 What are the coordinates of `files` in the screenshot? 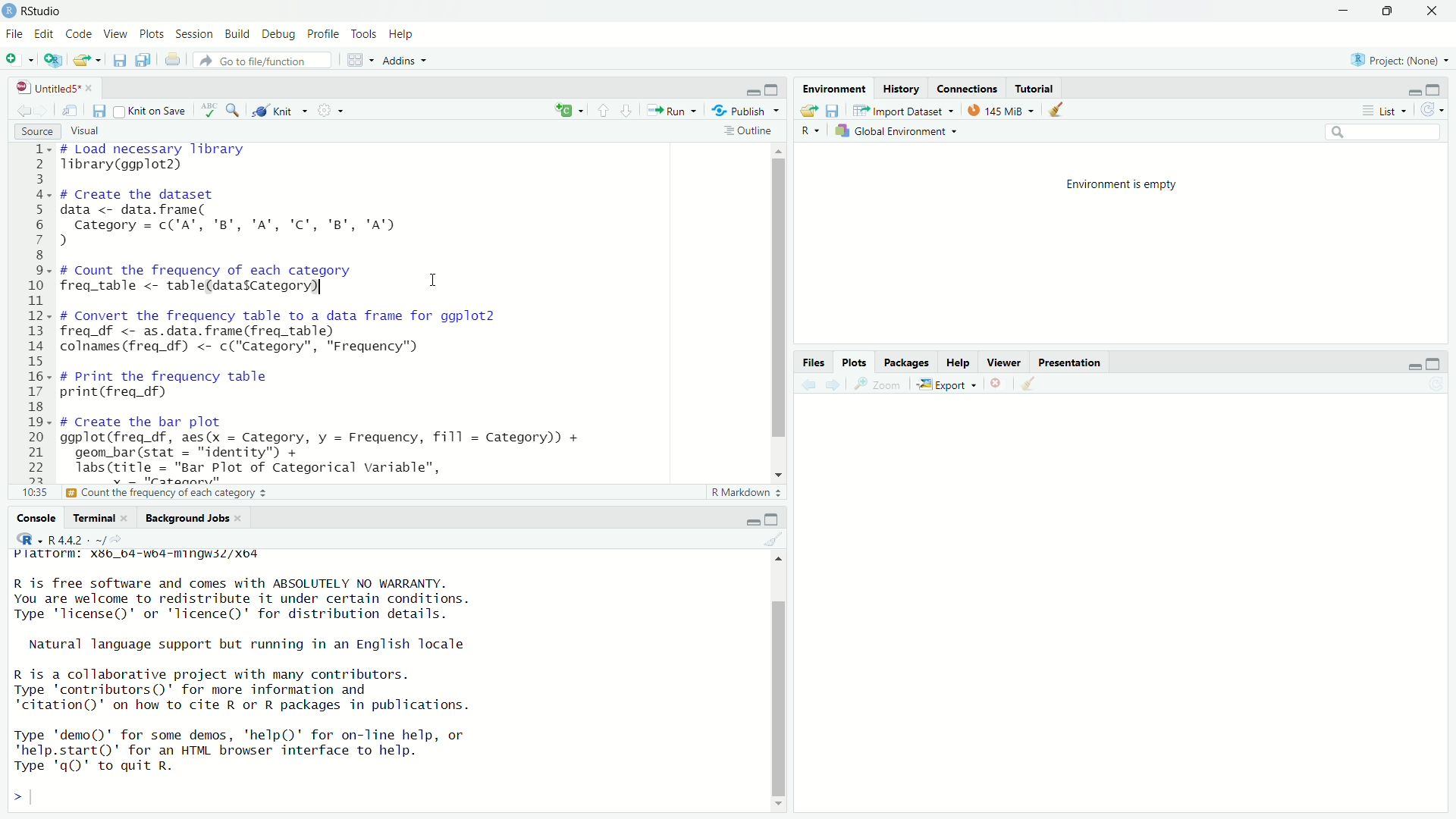 It's located at (815, 363).